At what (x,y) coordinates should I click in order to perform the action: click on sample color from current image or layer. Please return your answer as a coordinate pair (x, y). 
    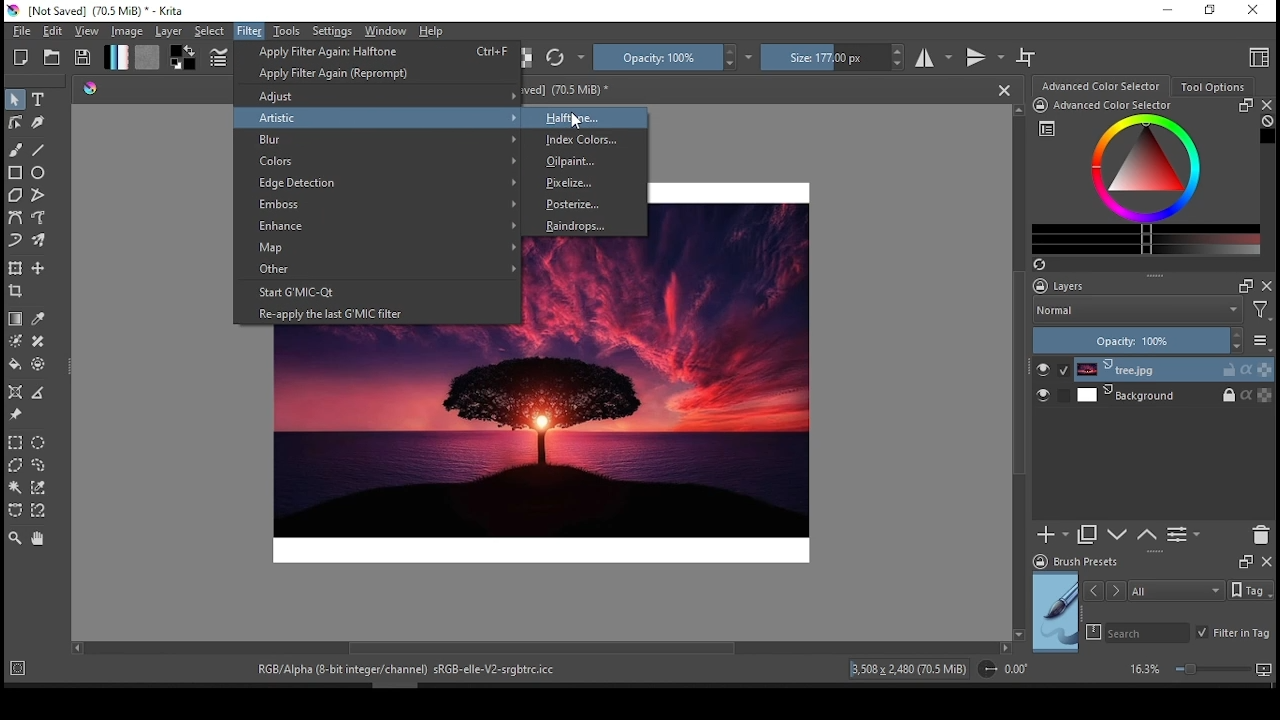
    Looking at the image, I should click on (39, 318).